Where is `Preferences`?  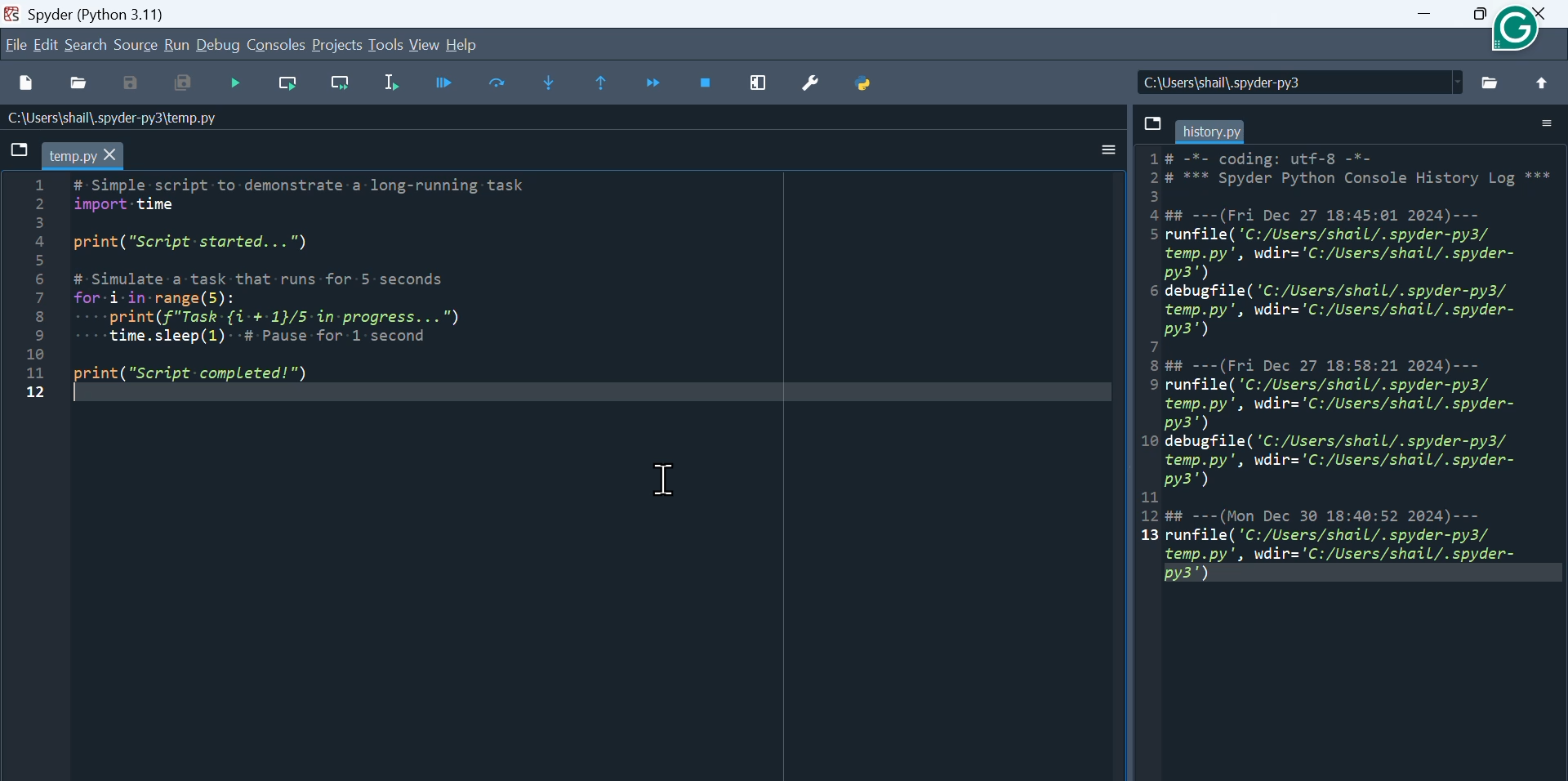 Preferences is located at coordinates (816, 85).